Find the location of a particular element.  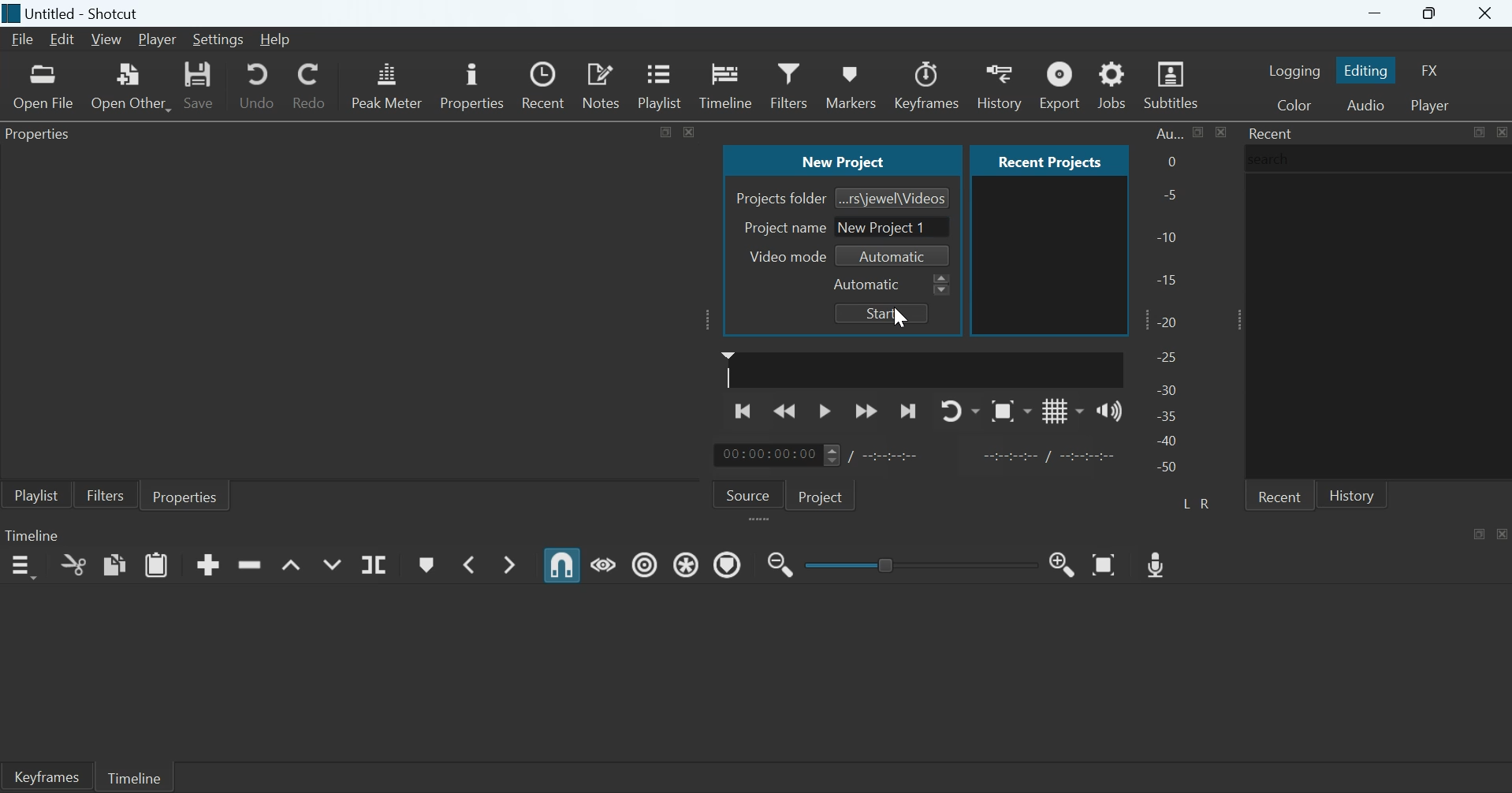

close is located at coordinates (689, 131).